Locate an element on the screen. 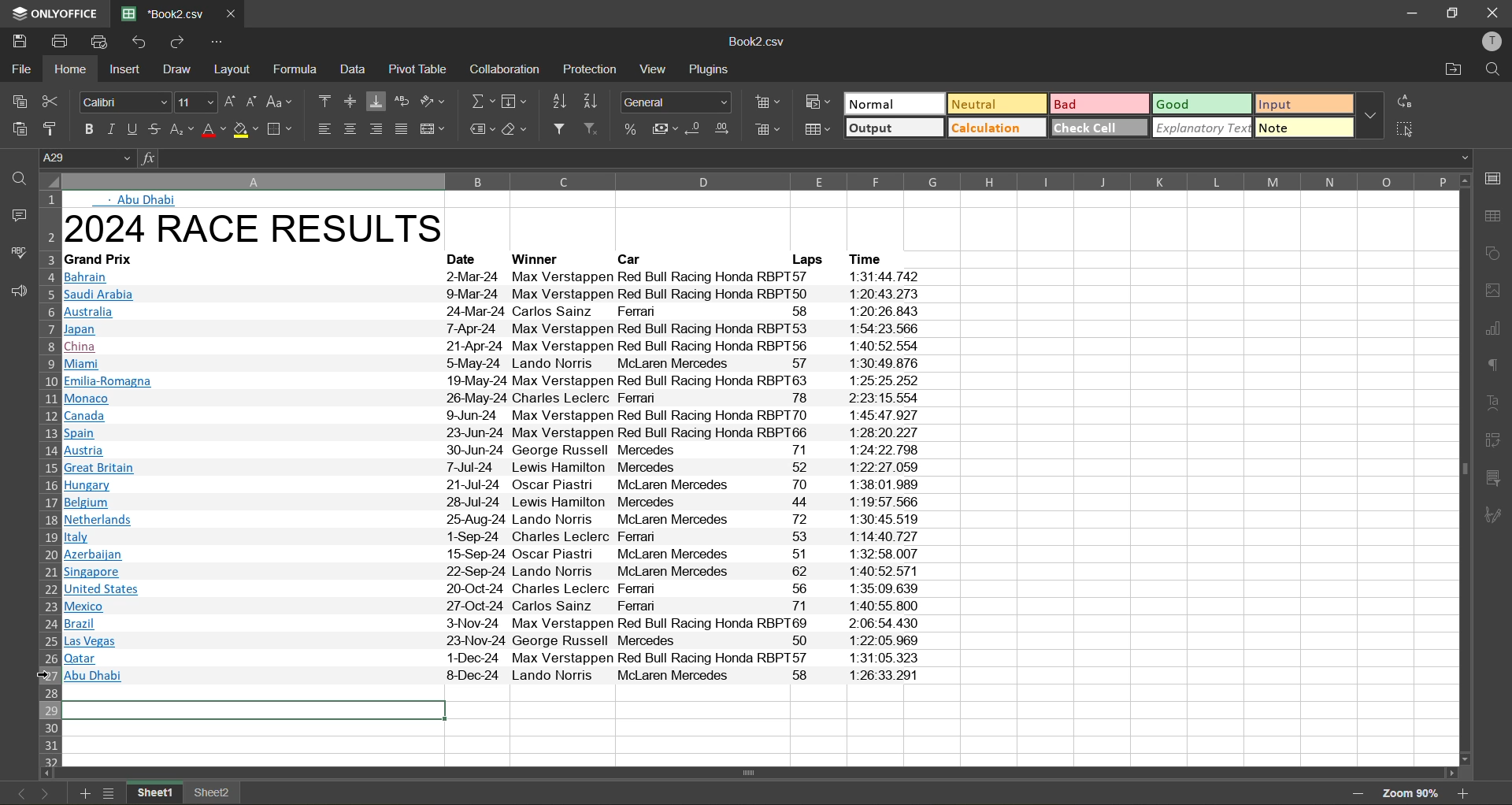 This screenshot has height=805, width=1512. font style is located at coordinates (123, 102).